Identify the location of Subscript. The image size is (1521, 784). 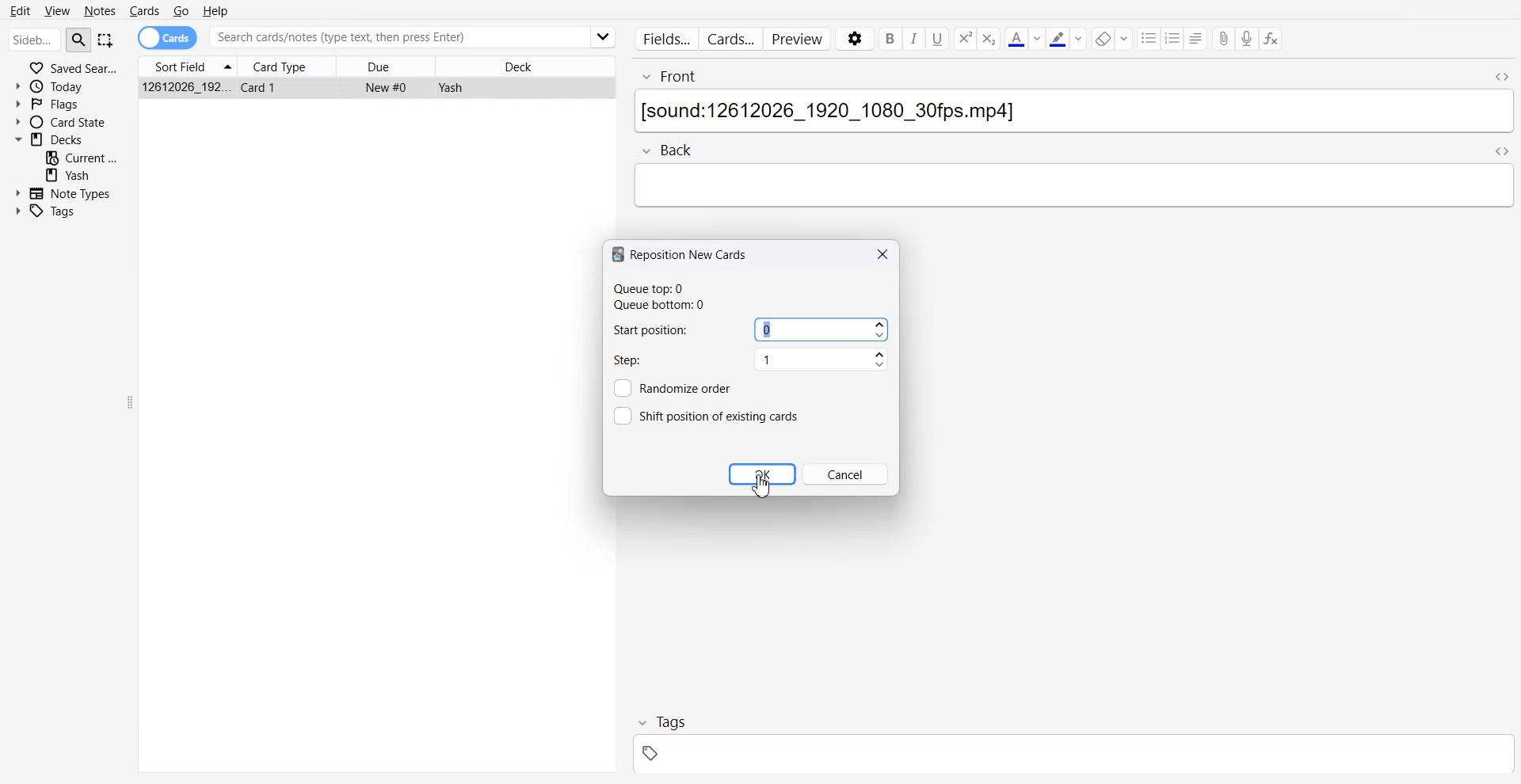
(964, 39).